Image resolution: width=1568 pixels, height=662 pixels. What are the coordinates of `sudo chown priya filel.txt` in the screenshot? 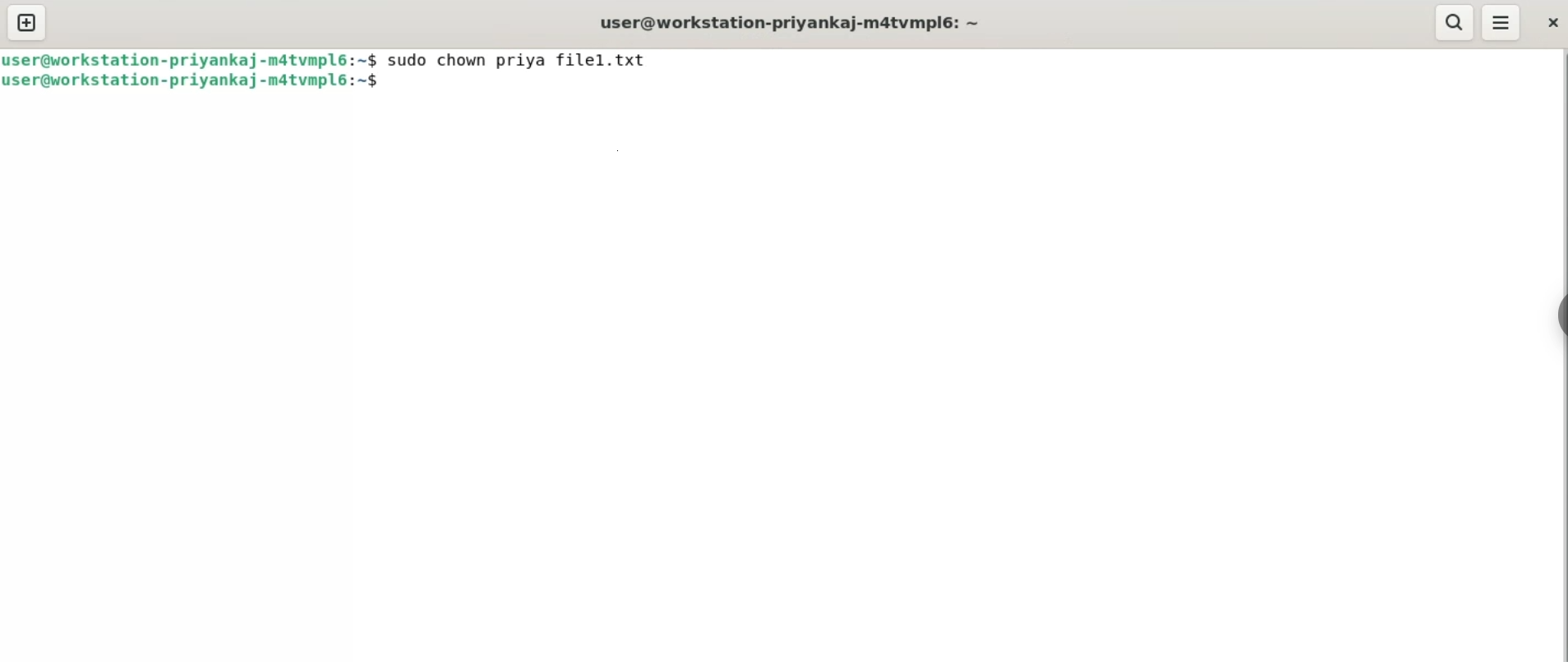 It's located at (524, 60).